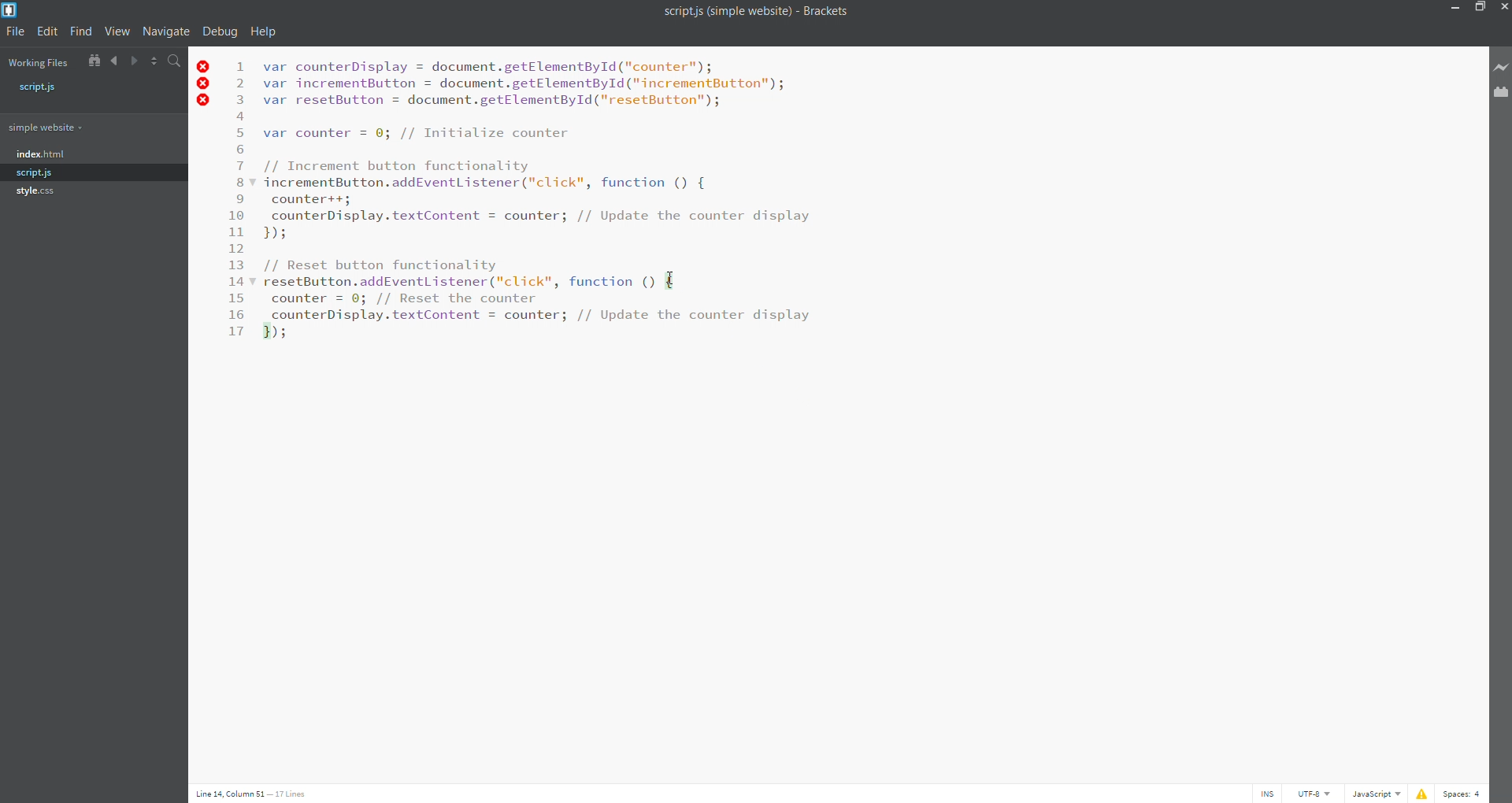  Describe the element at coordinates (84, 128) in the screenshot. I see `folder name` at that location.